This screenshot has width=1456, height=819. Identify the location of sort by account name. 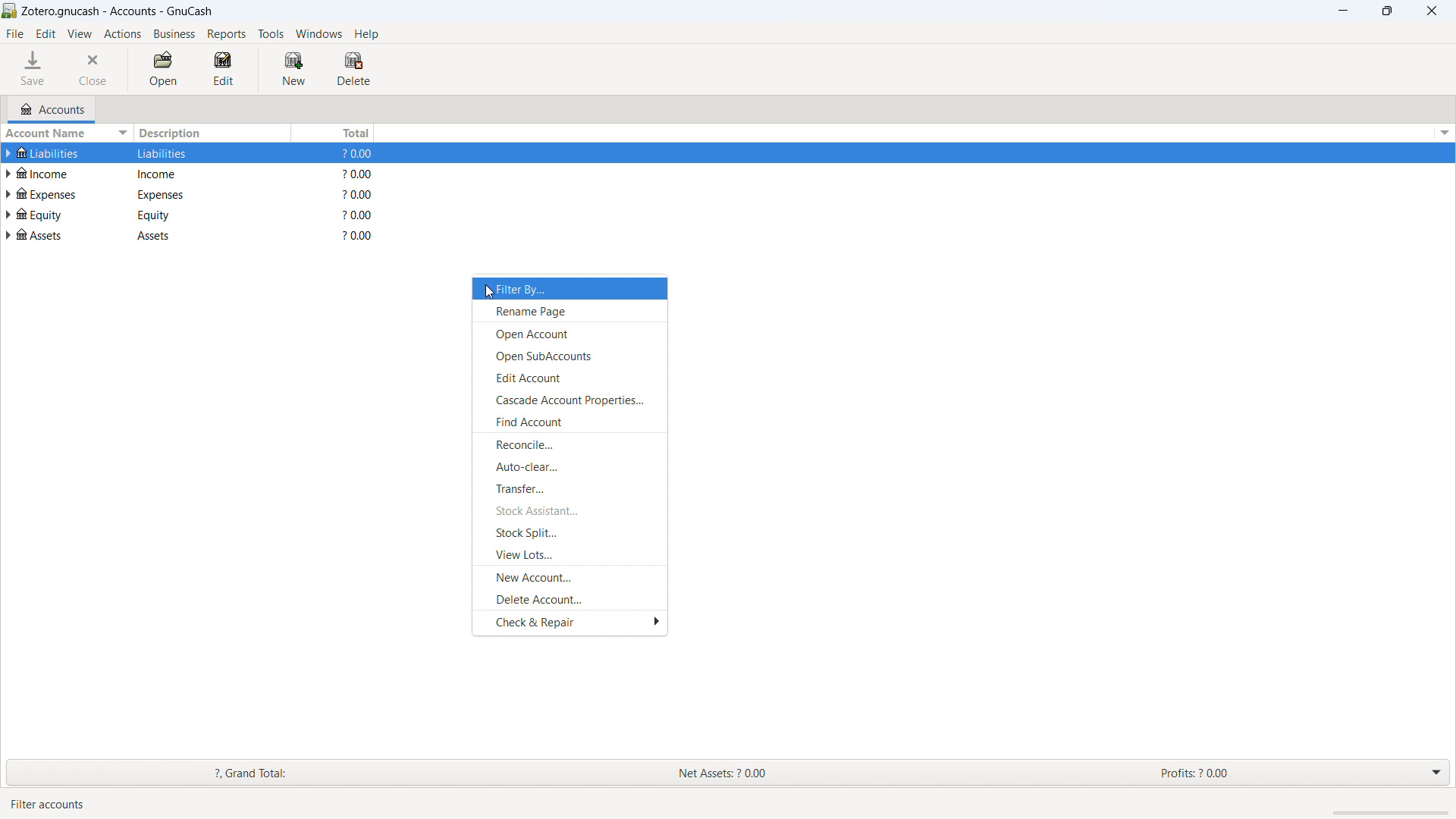
(67, 135).